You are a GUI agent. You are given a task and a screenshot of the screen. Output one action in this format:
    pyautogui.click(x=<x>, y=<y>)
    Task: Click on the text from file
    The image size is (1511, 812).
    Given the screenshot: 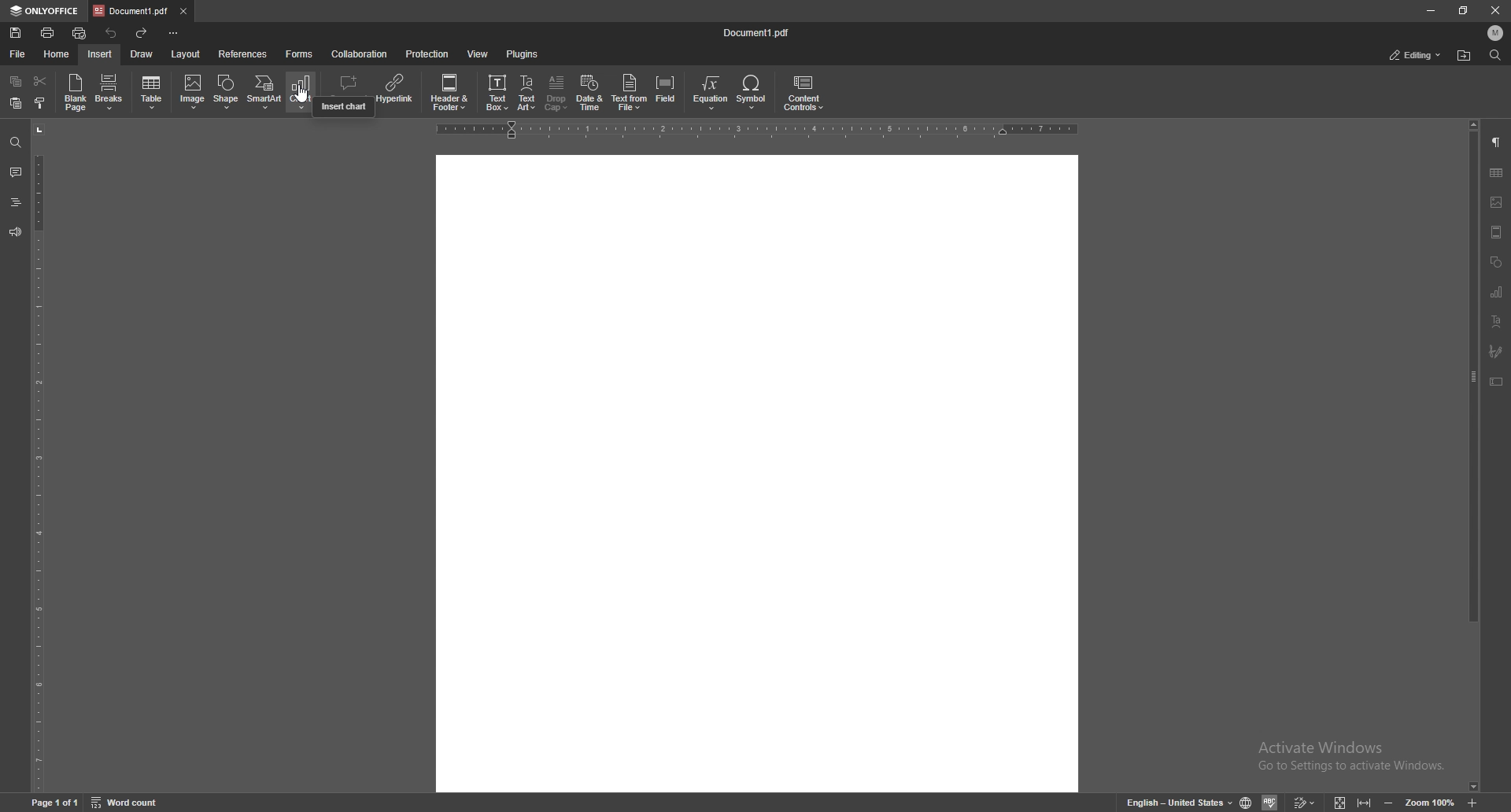 What is the action you would take?
    pyautogui.click(x=631, y=92)
    